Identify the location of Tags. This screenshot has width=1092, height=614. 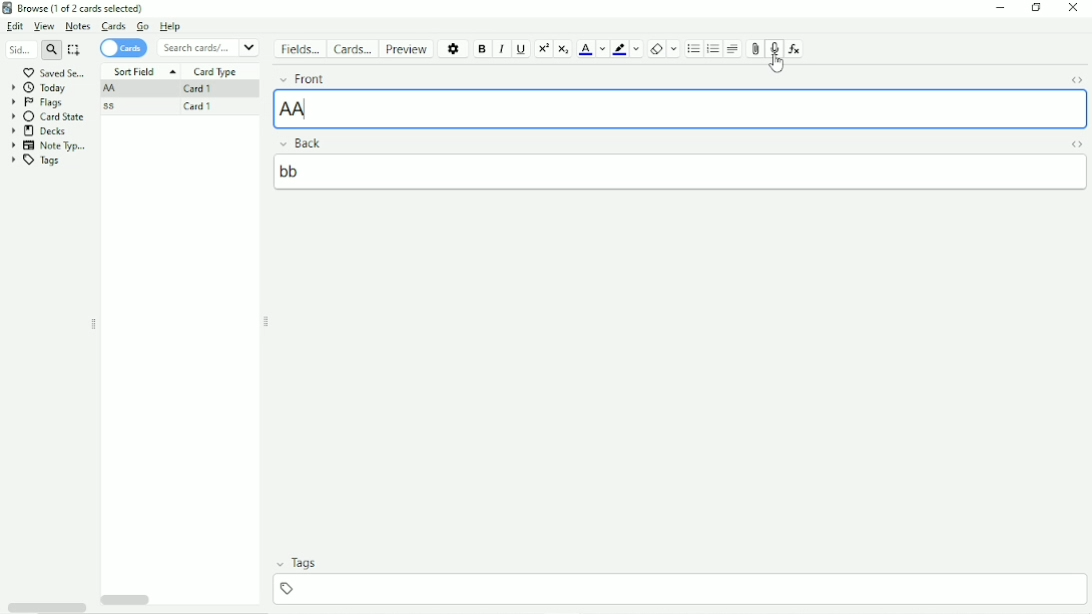
(41, 161).